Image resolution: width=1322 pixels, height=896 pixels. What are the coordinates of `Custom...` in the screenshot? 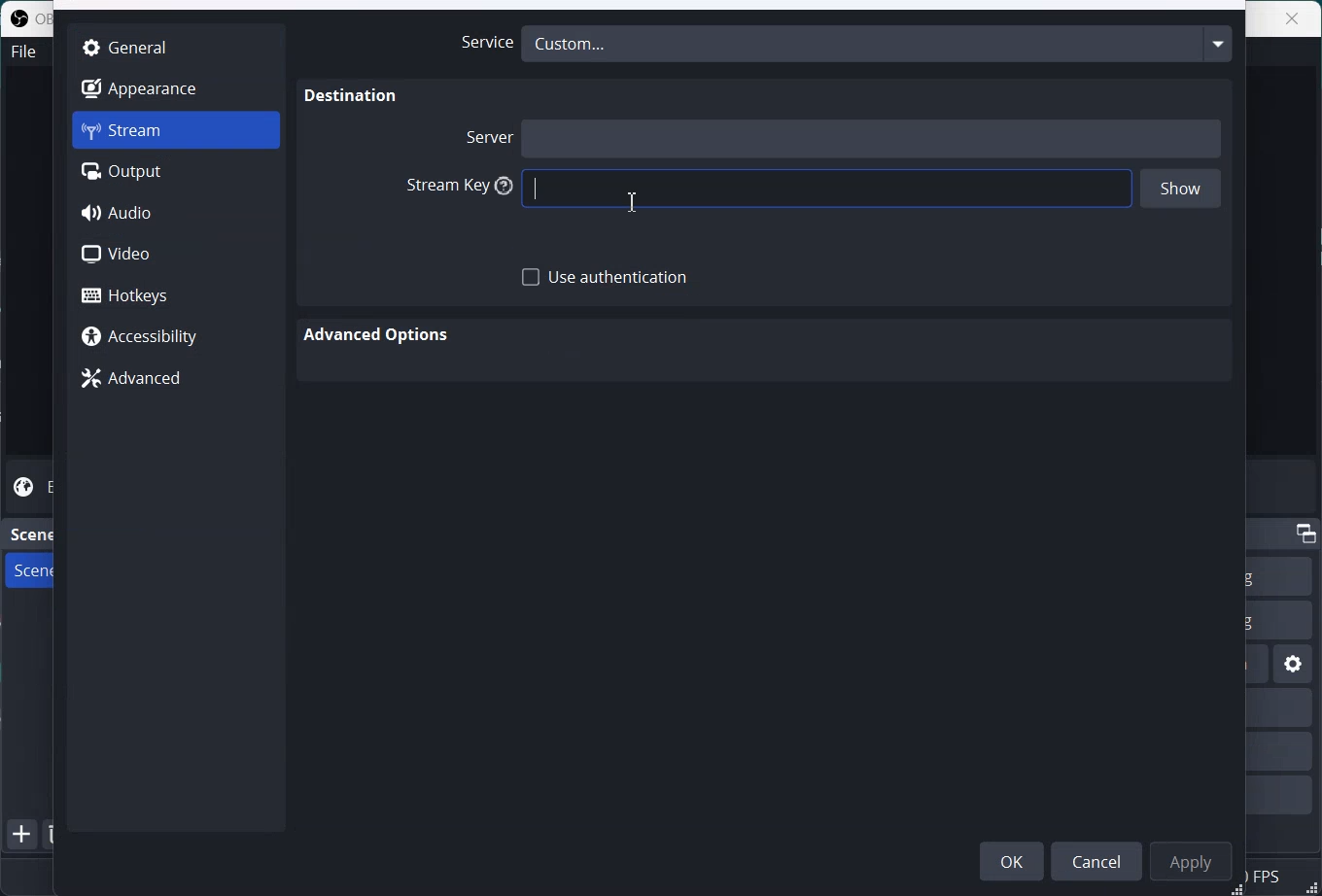 It's located at (877, 43).